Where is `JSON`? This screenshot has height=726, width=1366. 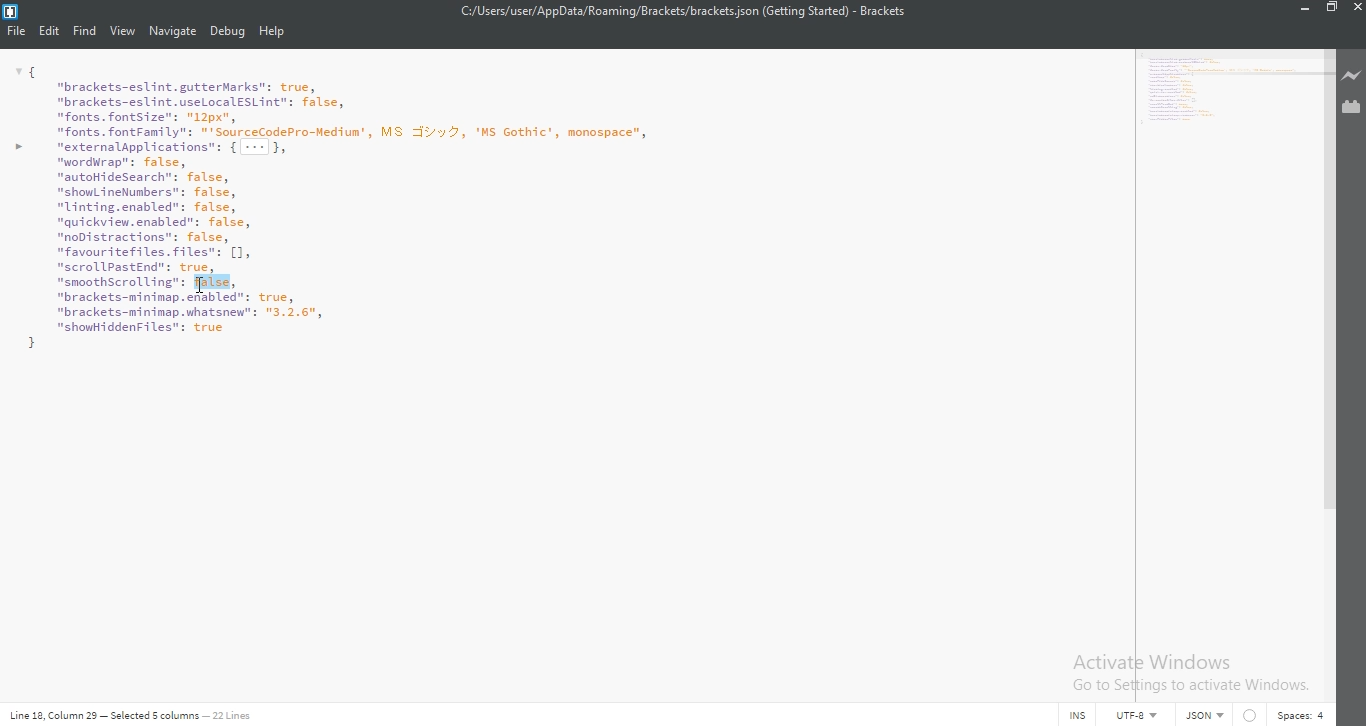
JSON is located at coordinates (1202, 716).